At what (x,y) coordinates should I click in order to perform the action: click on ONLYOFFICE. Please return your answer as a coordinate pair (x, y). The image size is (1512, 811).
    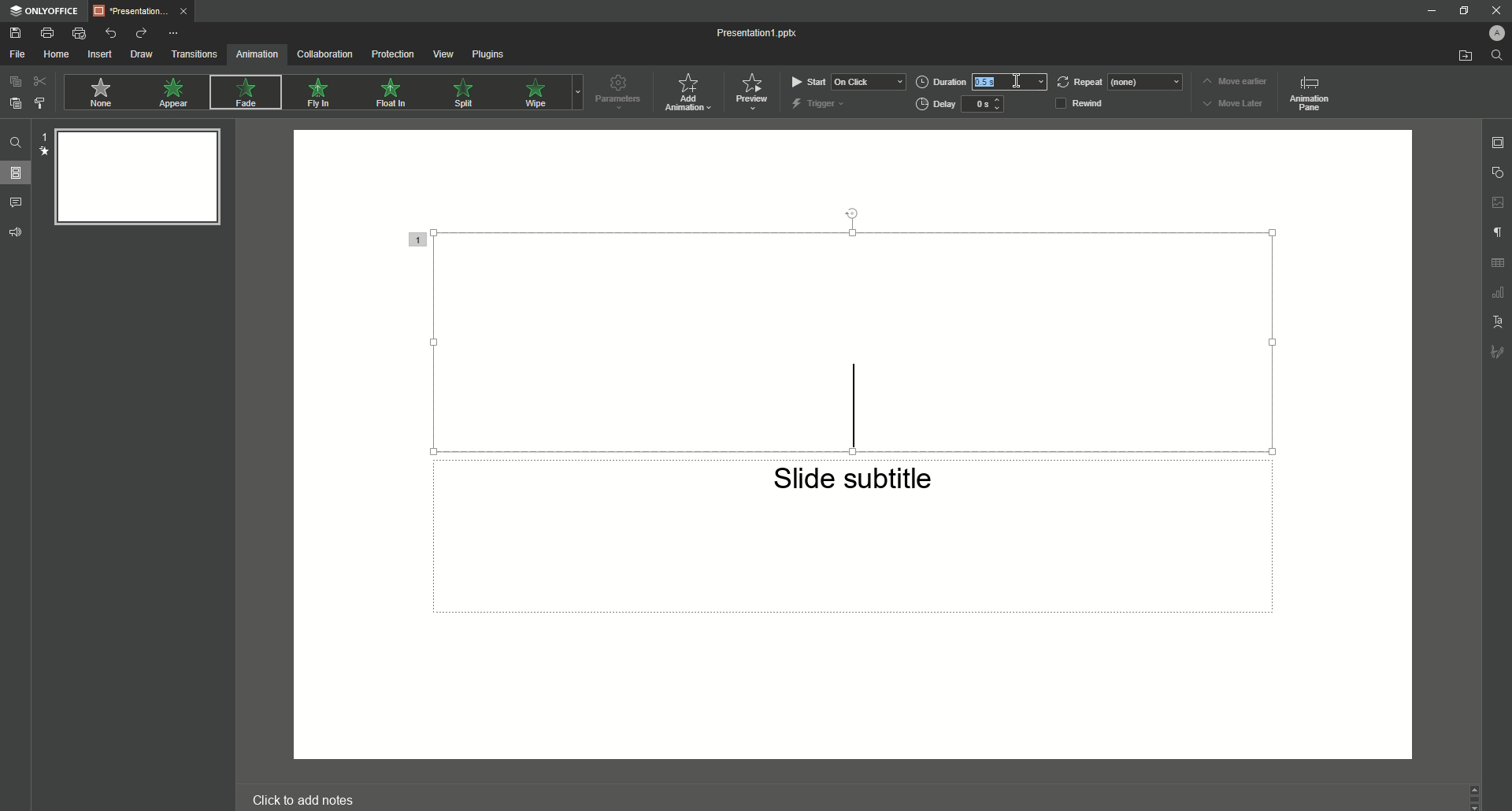
    Looking at the image, I should click on (47, 11).